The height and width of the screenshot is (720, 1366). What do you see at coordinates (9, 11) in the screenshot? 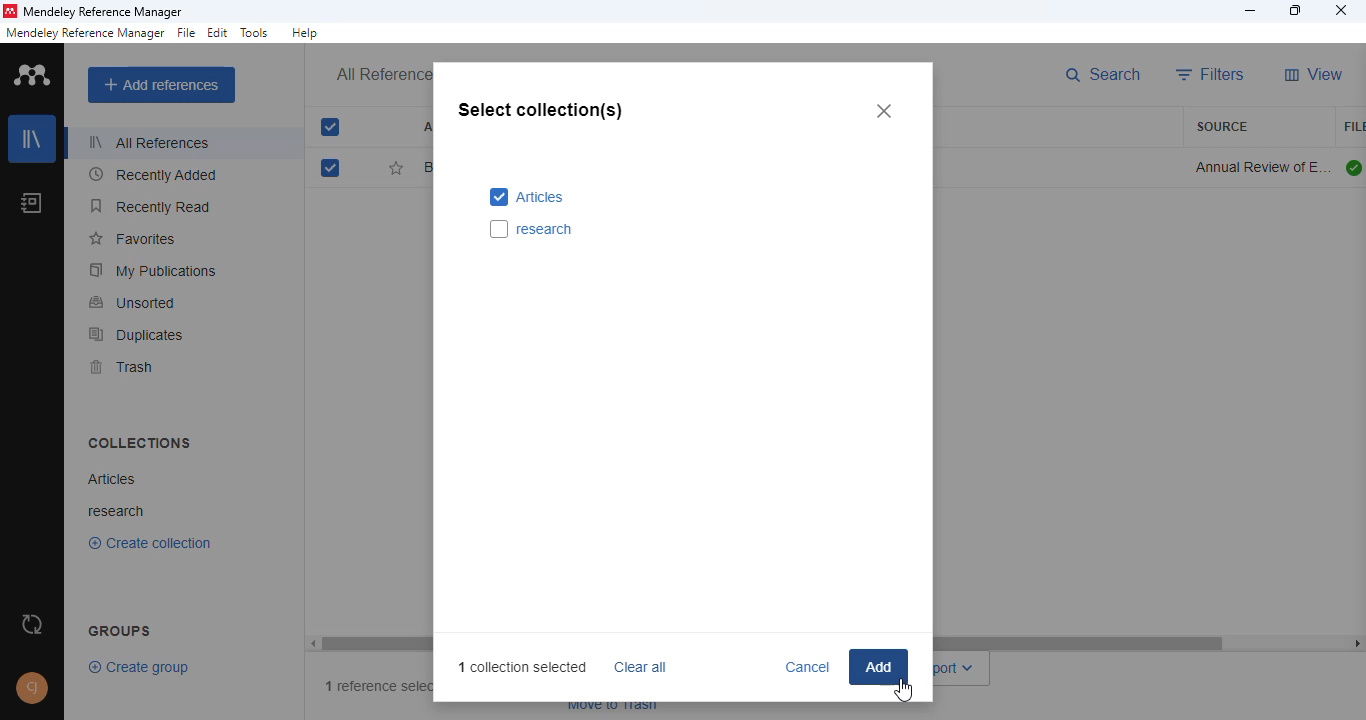
I see `logo` at bounding box center [9, 11].